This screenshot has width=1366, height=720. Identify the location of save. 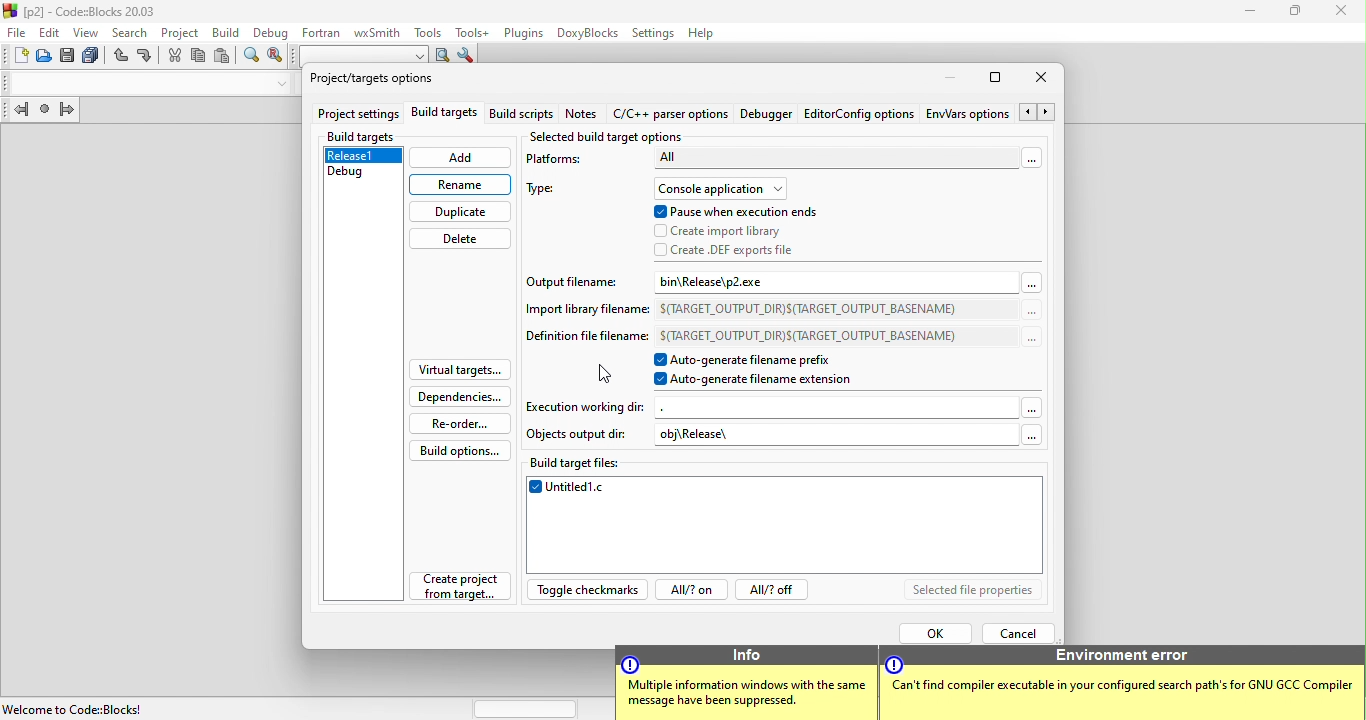
(69, 57).